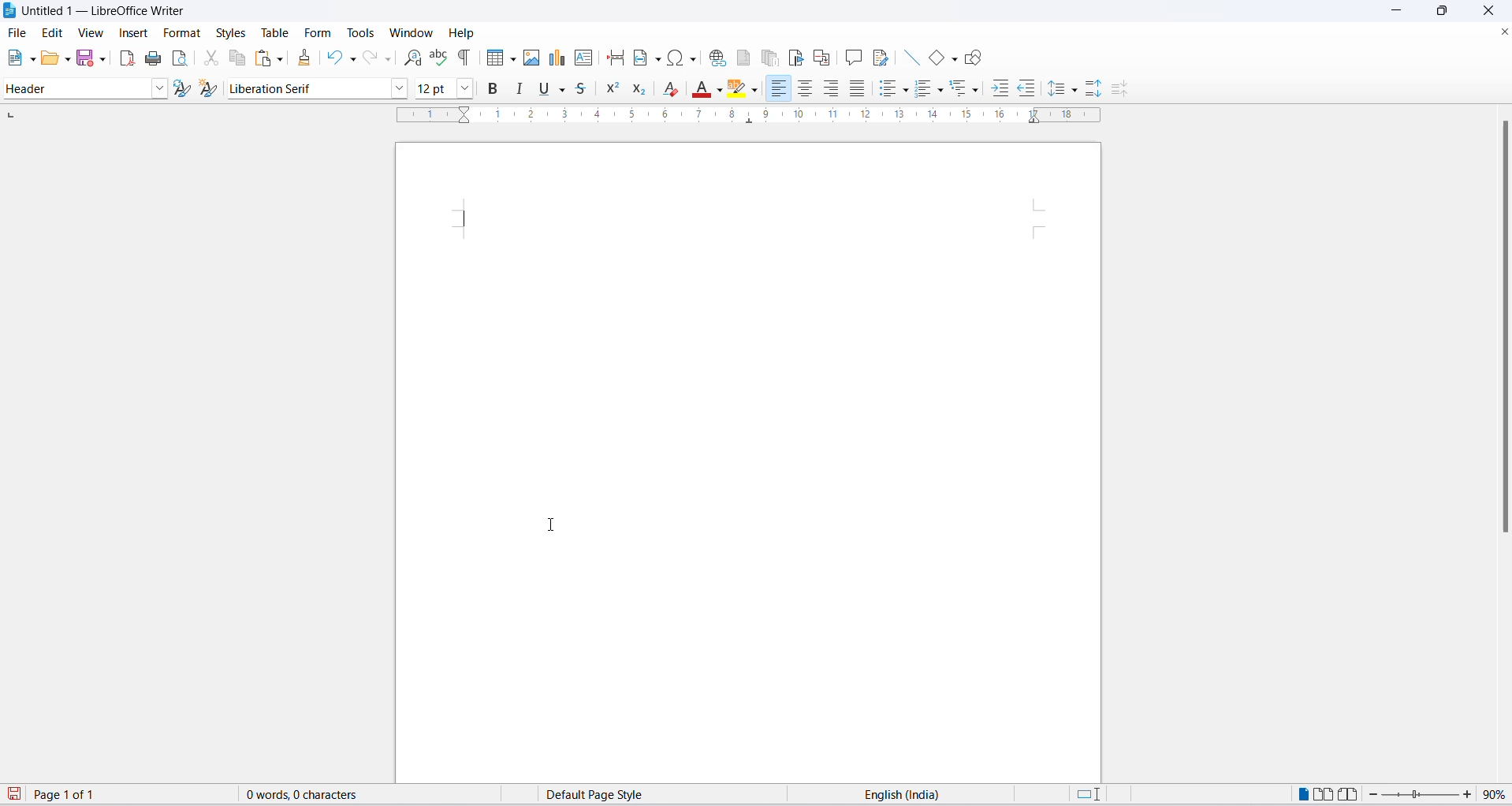 This screenshot has height=806, width=1512. I want to click on open, so click(50, 59).